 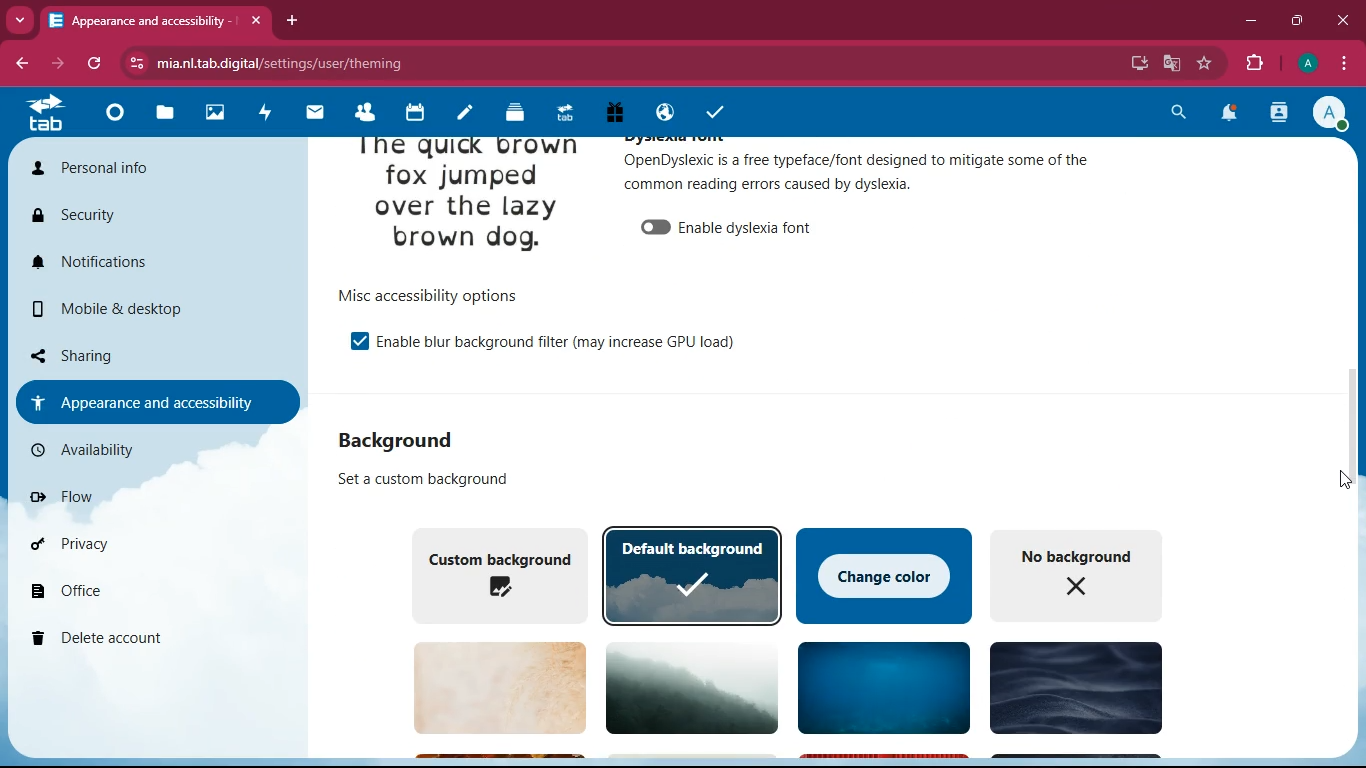 I want to click on availability, so click(x=145, y=450).